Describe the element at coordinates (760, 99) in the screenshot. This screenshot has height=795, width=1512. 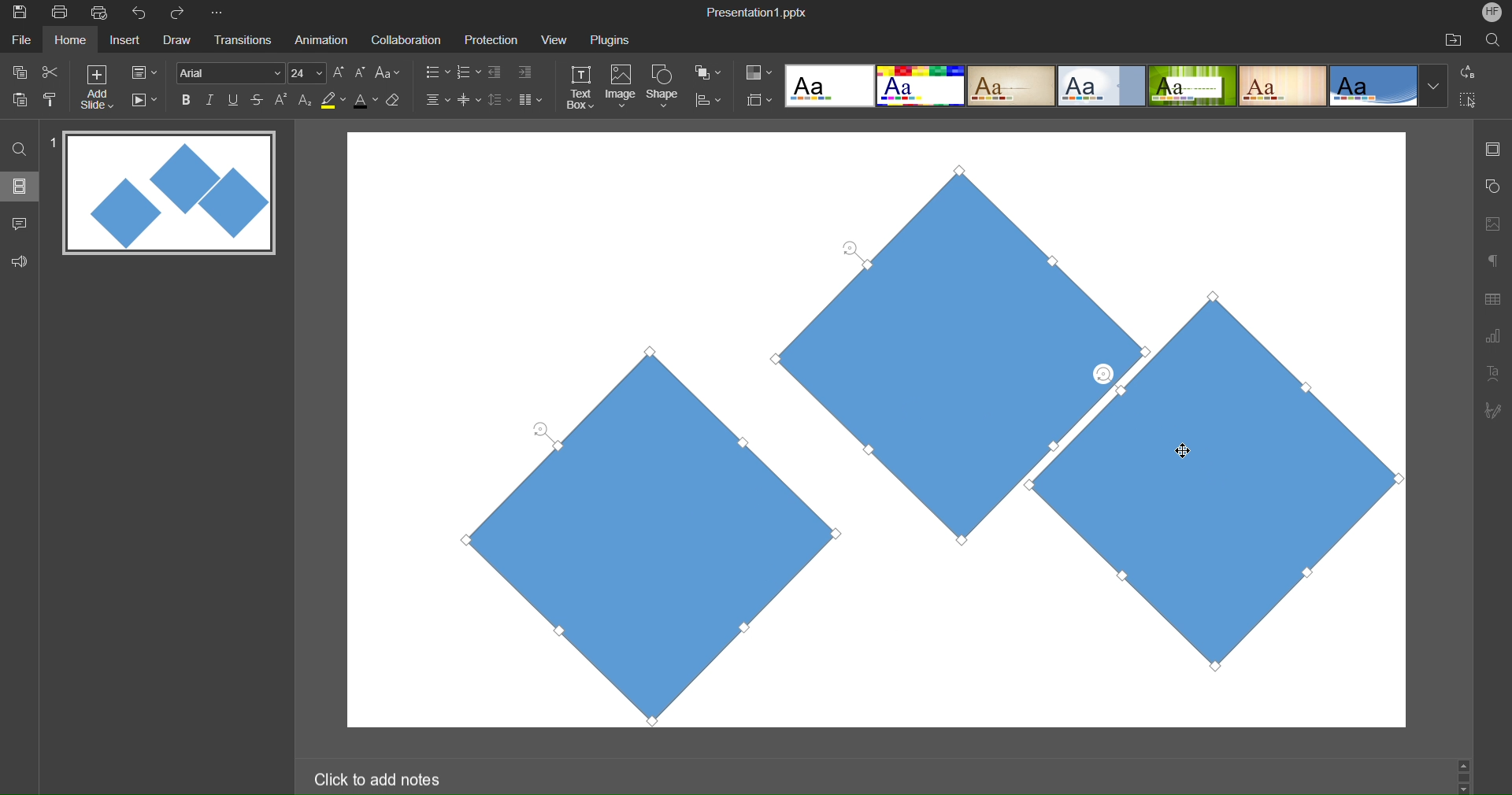
I see `Slide Size Settings` at that location.